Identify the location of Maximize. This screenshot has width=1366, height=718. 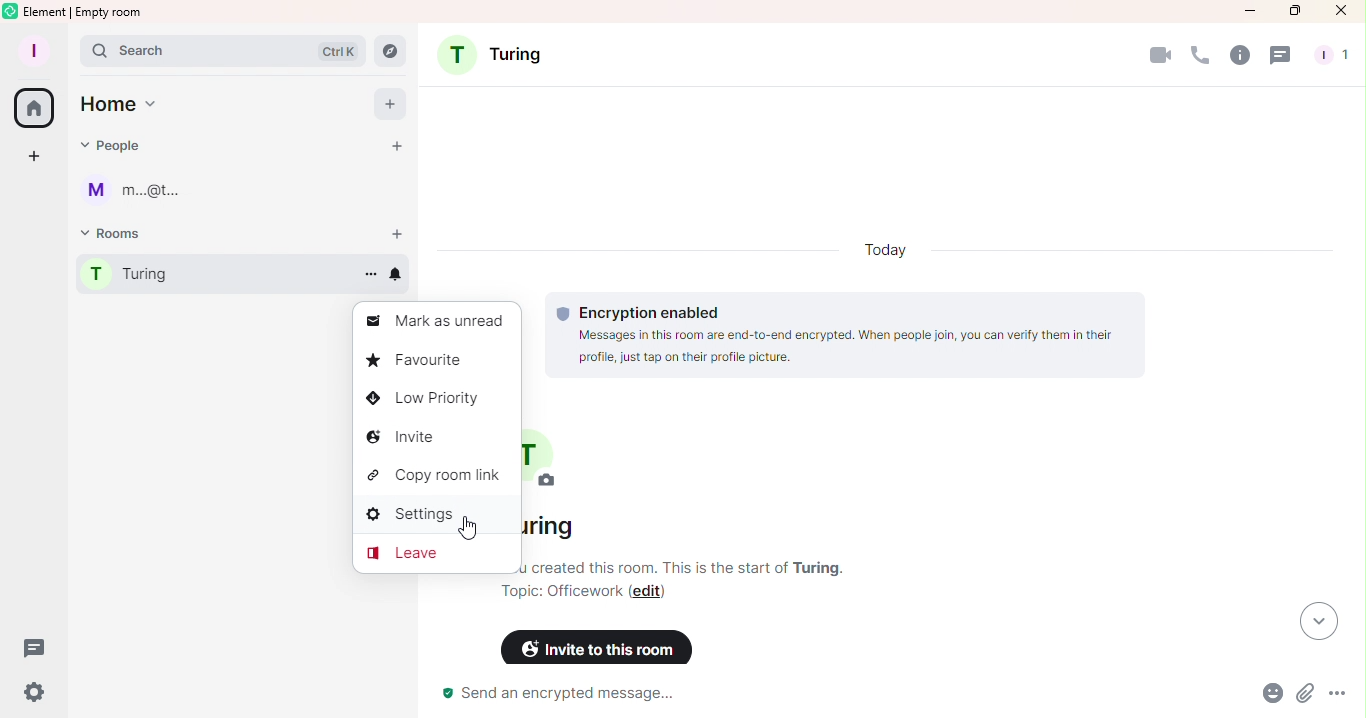
(1288, 12).